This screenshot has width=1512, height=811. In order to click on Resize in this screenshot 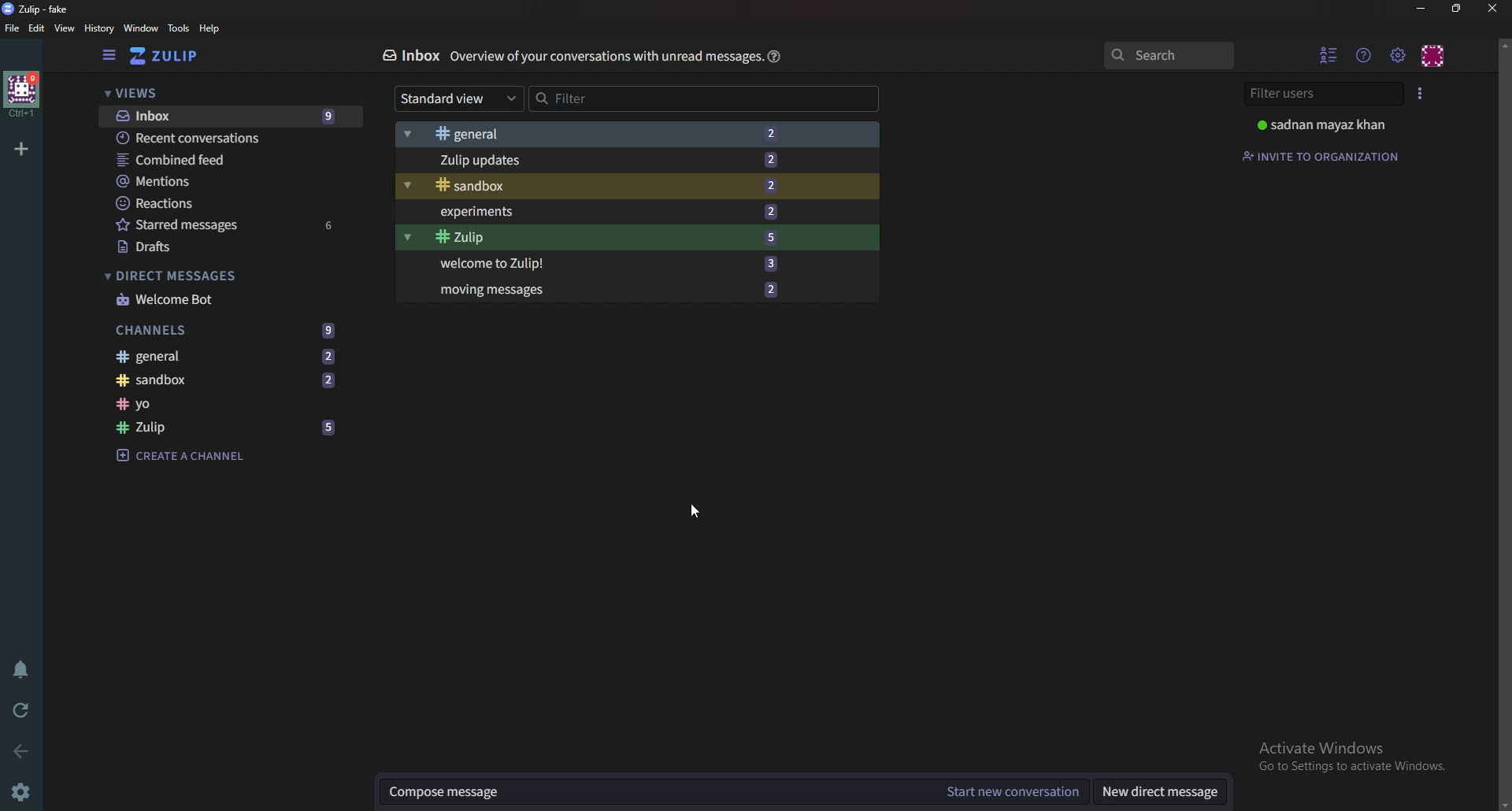, I will do `click(1456, 9)`.